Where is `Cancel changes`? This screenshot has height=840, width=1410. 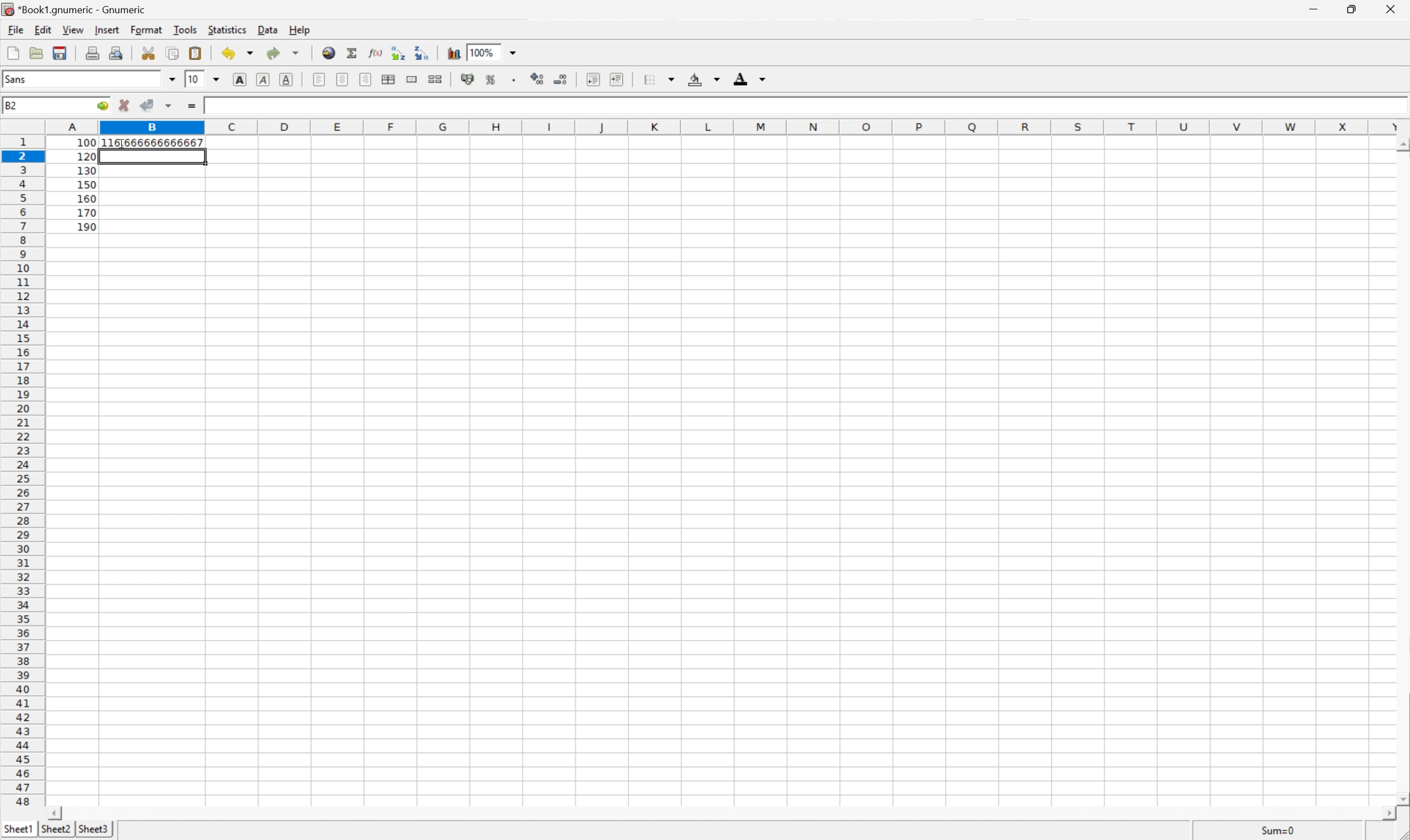
Cancel changes is located at coordinates (127, 105).